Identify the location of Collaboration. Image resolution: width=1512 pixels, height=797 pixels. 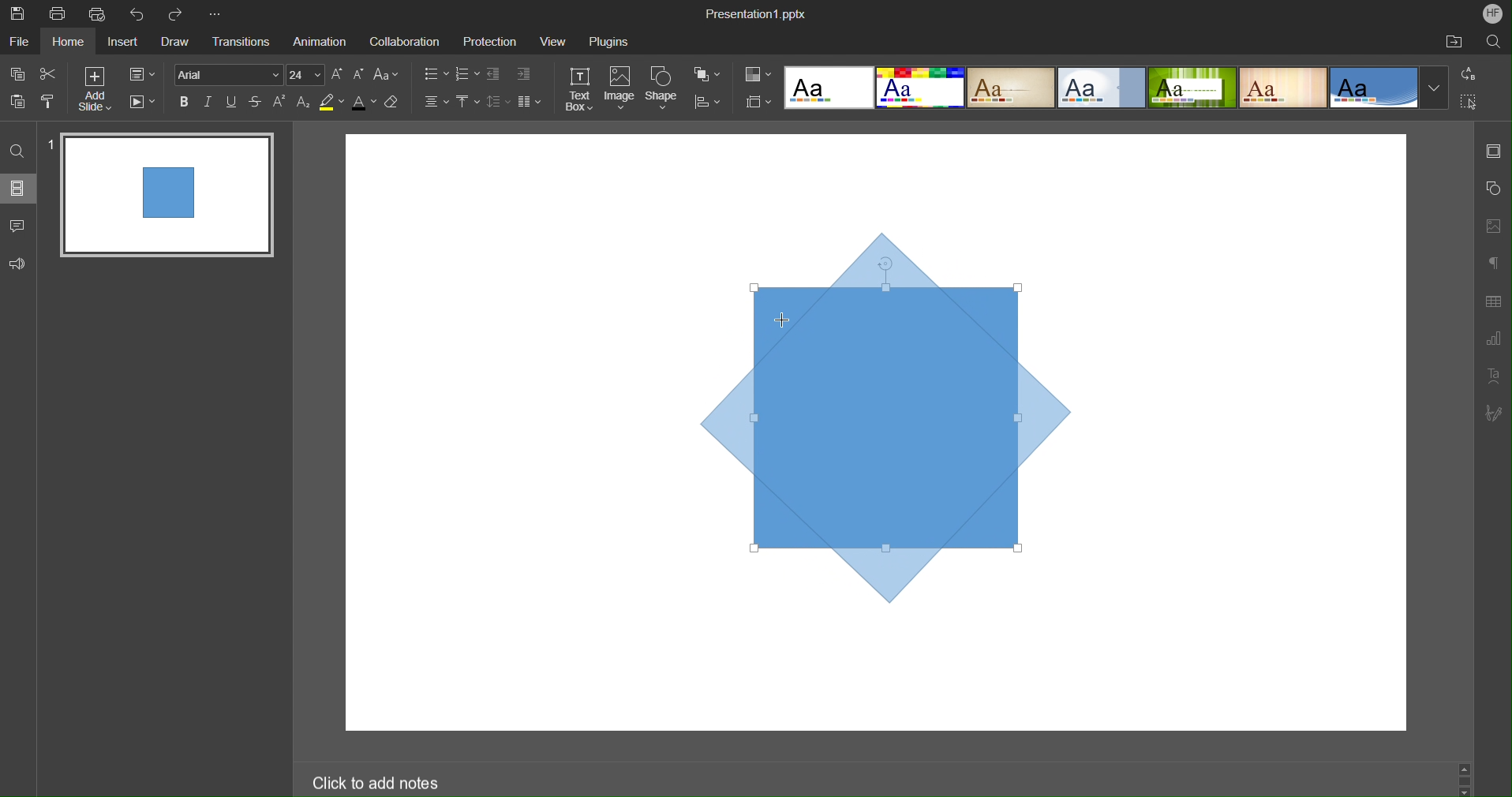
(402, 39).